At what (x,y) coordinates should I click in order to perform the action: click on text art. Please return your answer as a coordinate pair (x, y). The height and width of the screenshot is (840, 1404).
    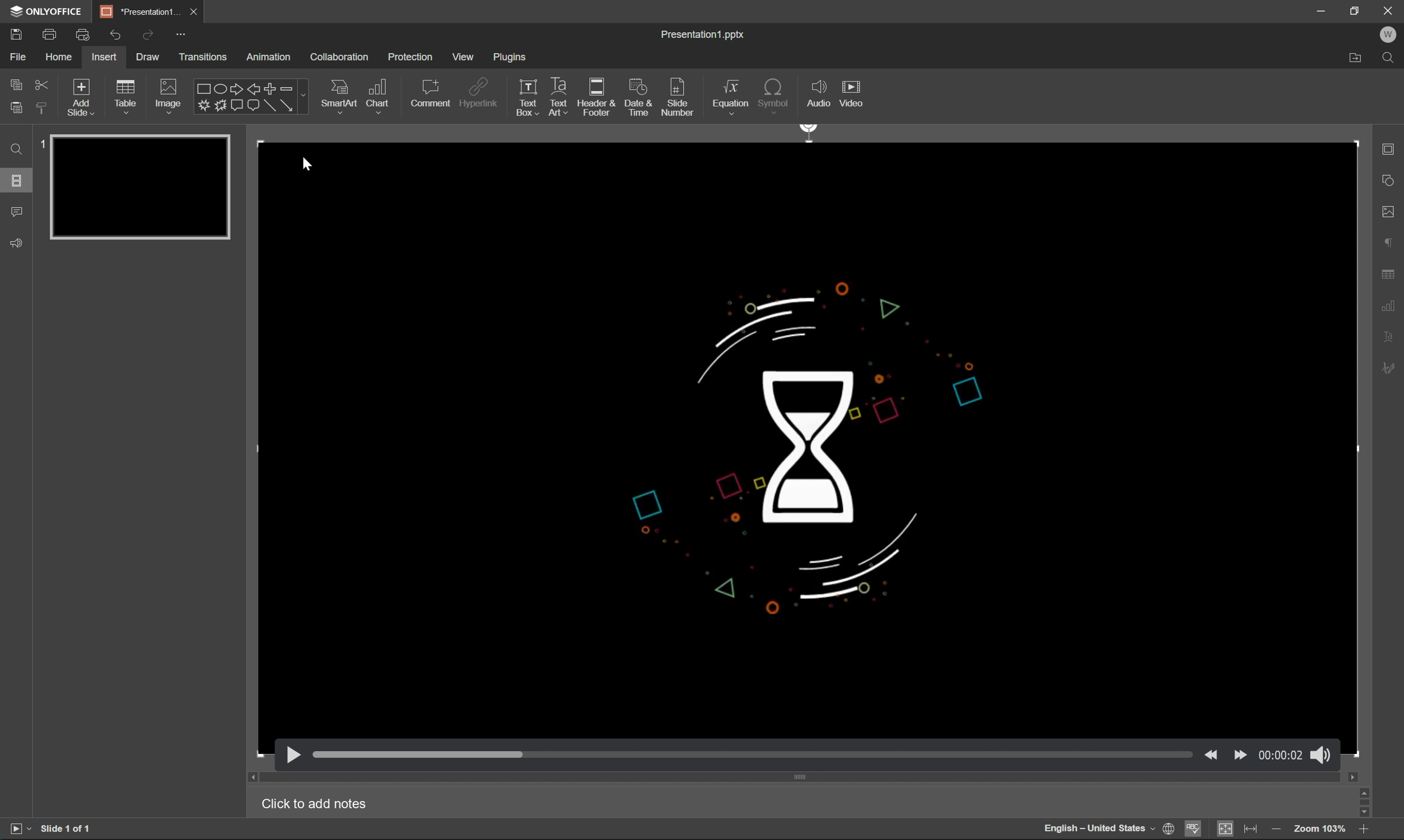
    Looking at the image, I should click on (560, 95).